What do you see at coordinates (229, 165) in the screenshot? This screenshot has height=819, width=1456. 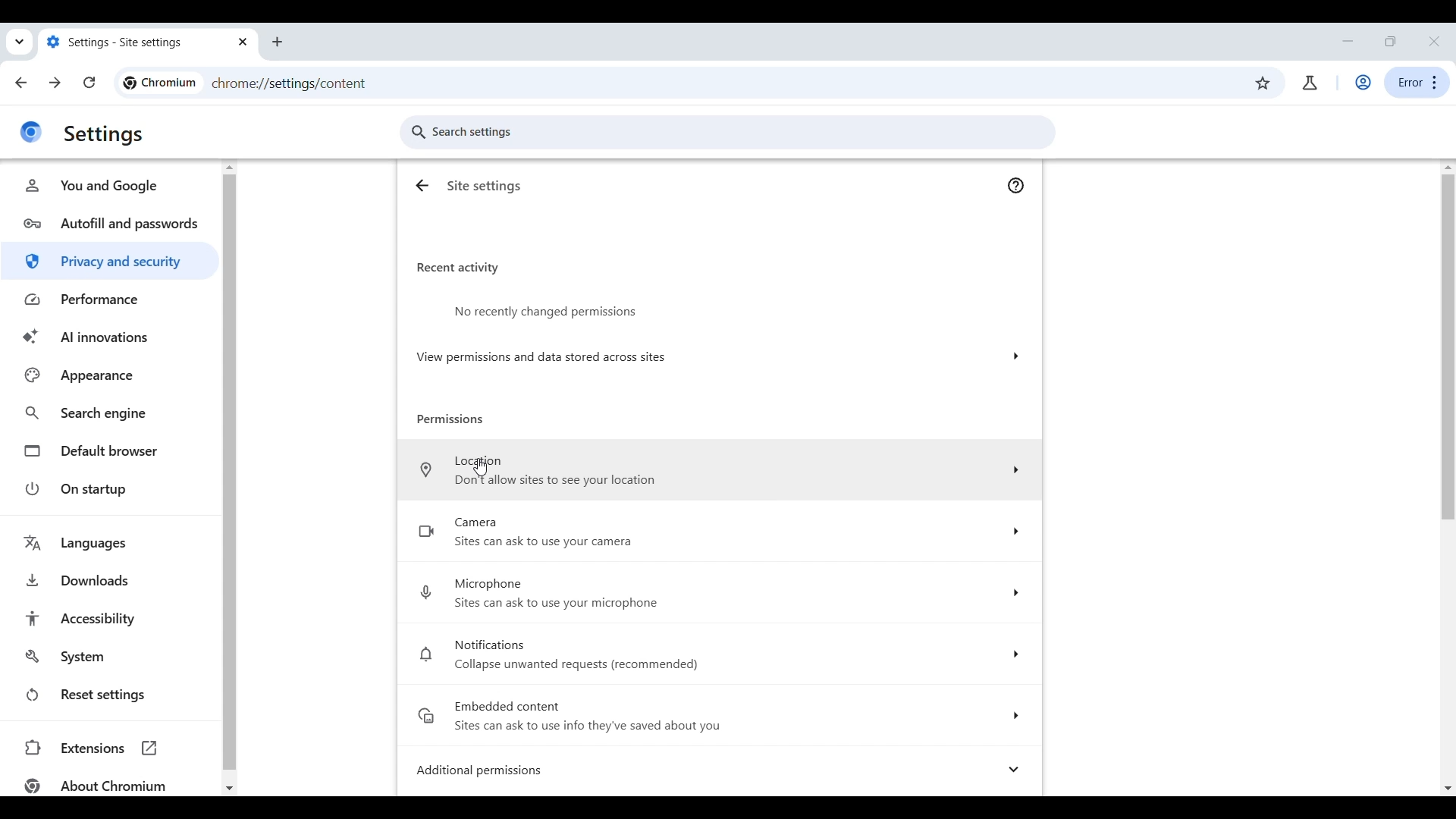 I see `quick slide to top` at bounding box center [229, 165].